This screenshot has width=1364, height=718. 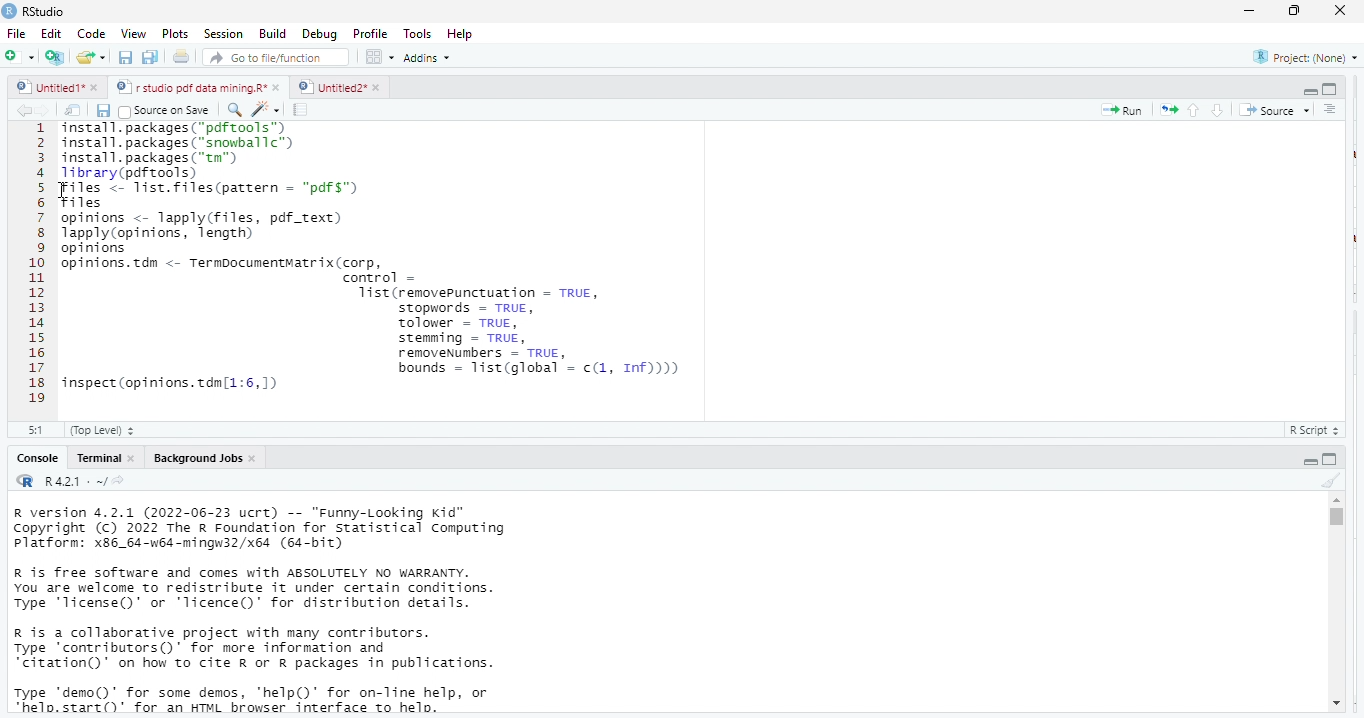 What do you see at coordinates (18, 56) in the screenshot?
I see `new file` at bounding box center [18, 56].